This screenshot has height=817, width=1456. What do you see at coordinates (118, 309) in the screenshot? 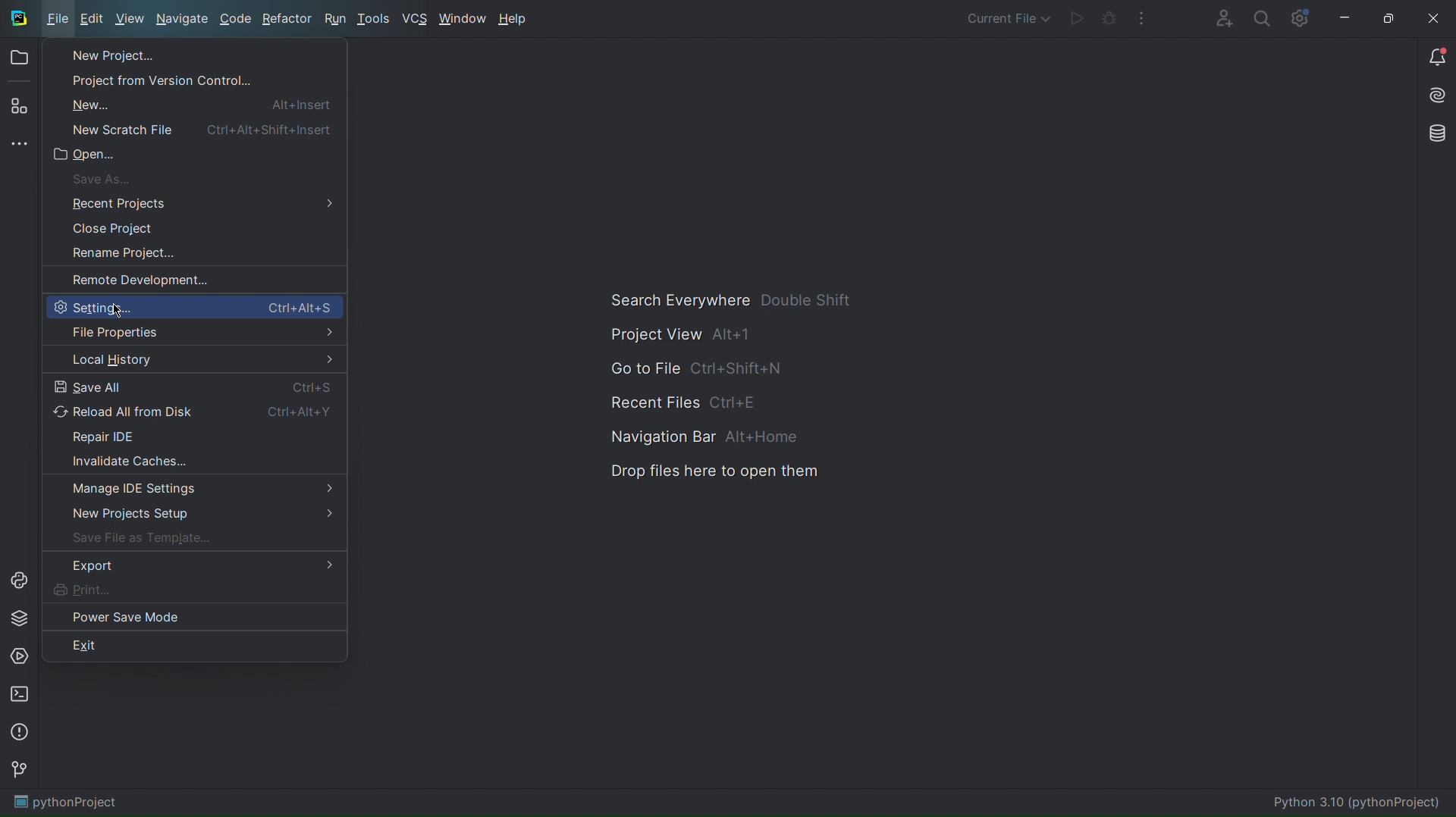
I see `Cursor` at bounding box center [118, 309].